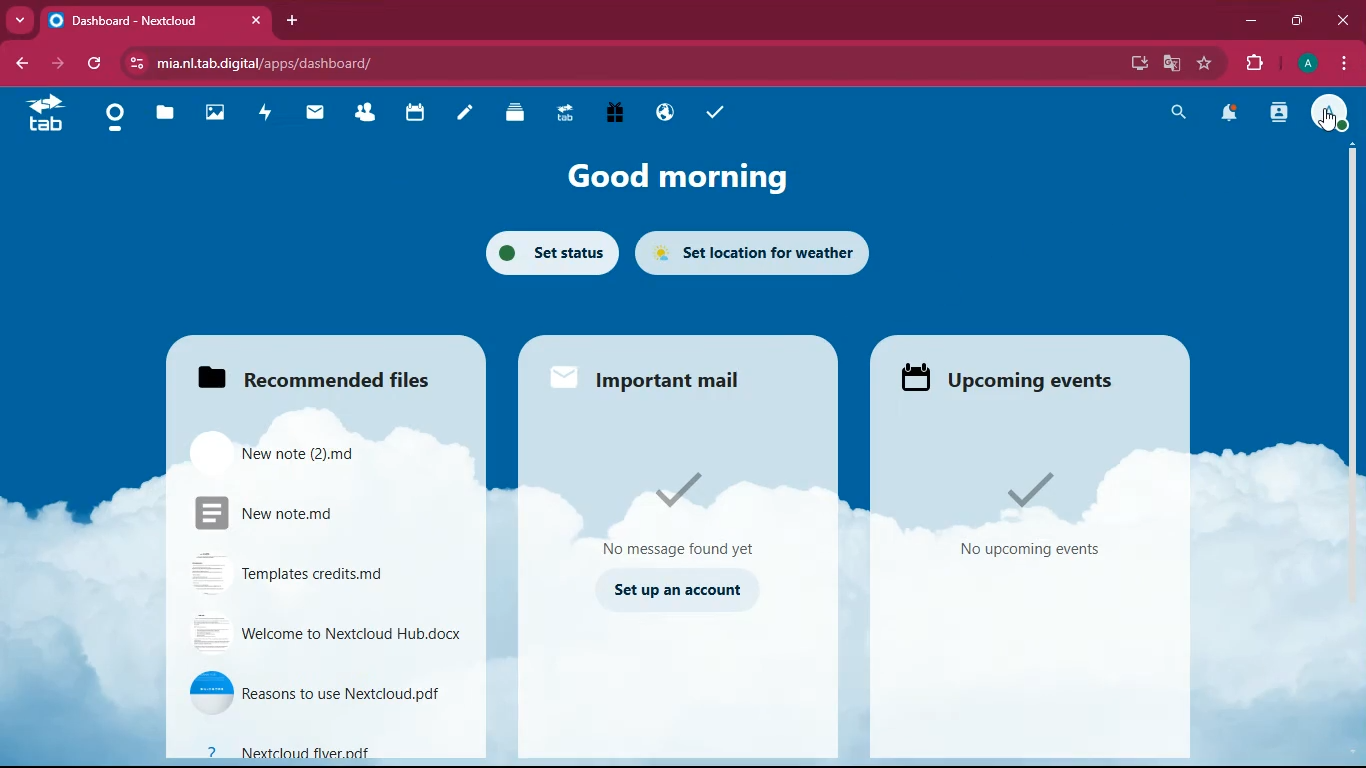 The width and height of the screenshot is (1366, 768). I want to click on tab, so click(571, 114).